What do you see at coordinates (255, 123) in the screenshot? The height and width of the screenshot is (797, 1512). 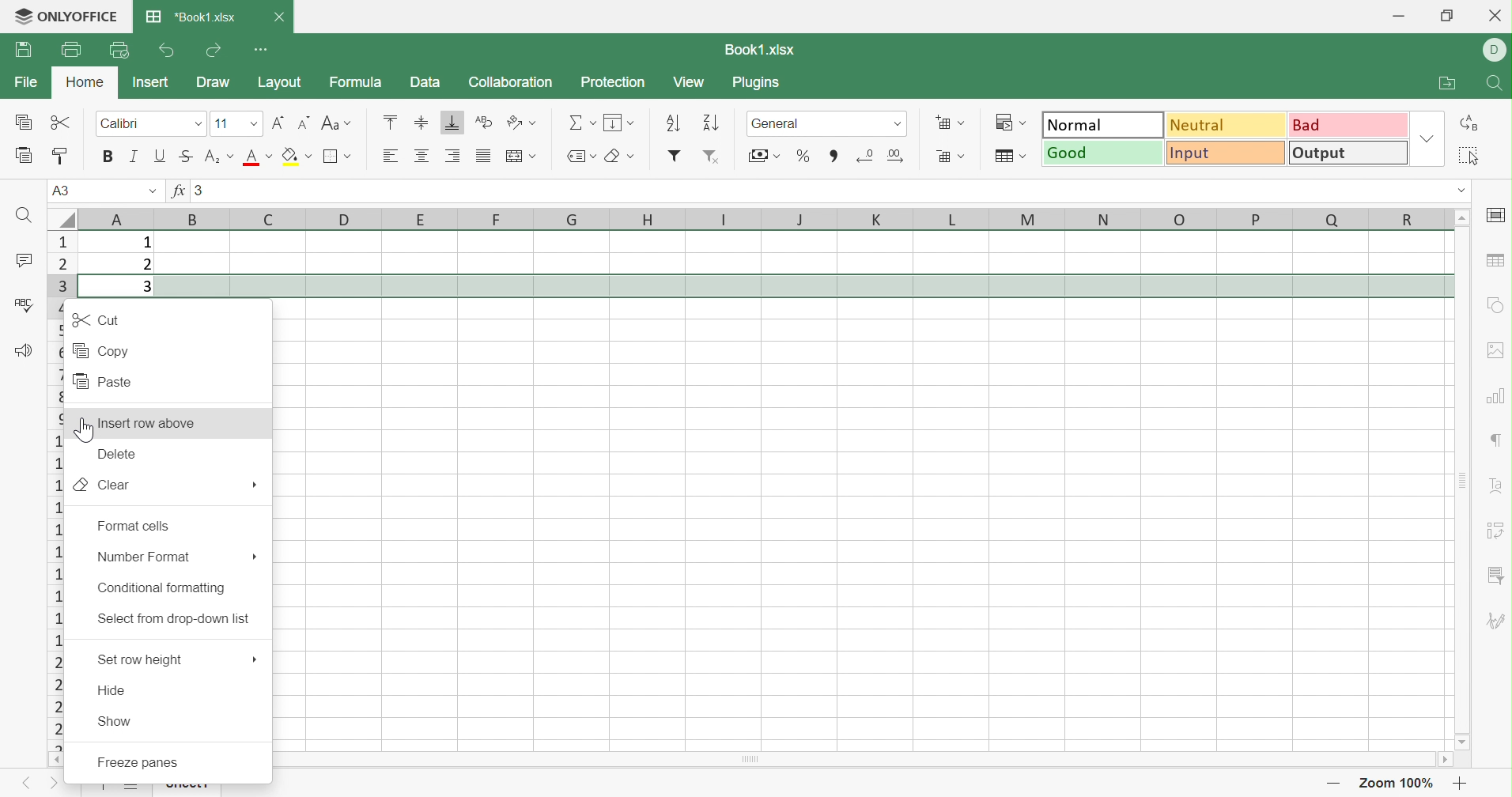 I see `Drop Down` at bounding box center [255, 123].